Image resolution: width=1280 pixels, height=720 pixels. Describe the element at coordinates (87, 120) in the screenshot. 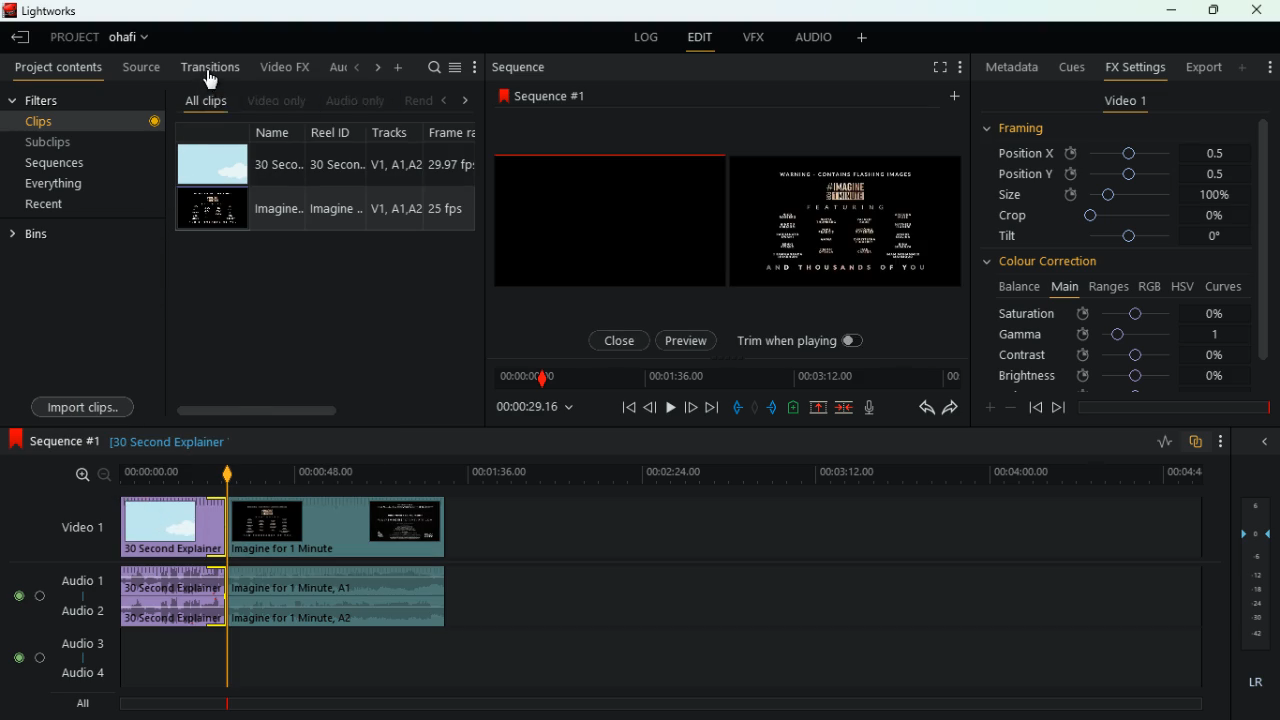

I see `clips` at that location.